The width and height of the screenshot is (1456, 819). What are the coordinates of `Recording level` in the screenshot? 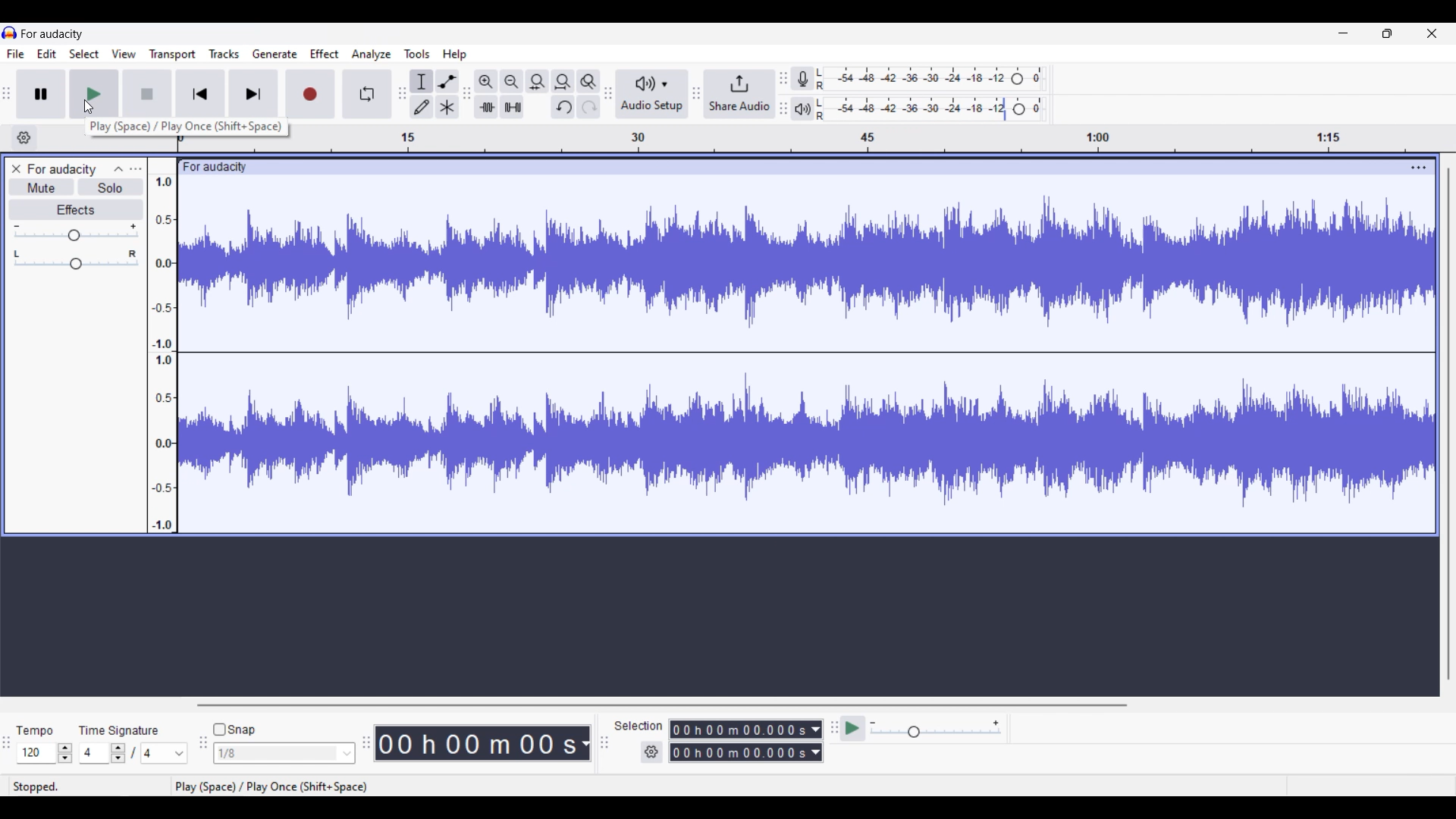 It's located at (930, 79).